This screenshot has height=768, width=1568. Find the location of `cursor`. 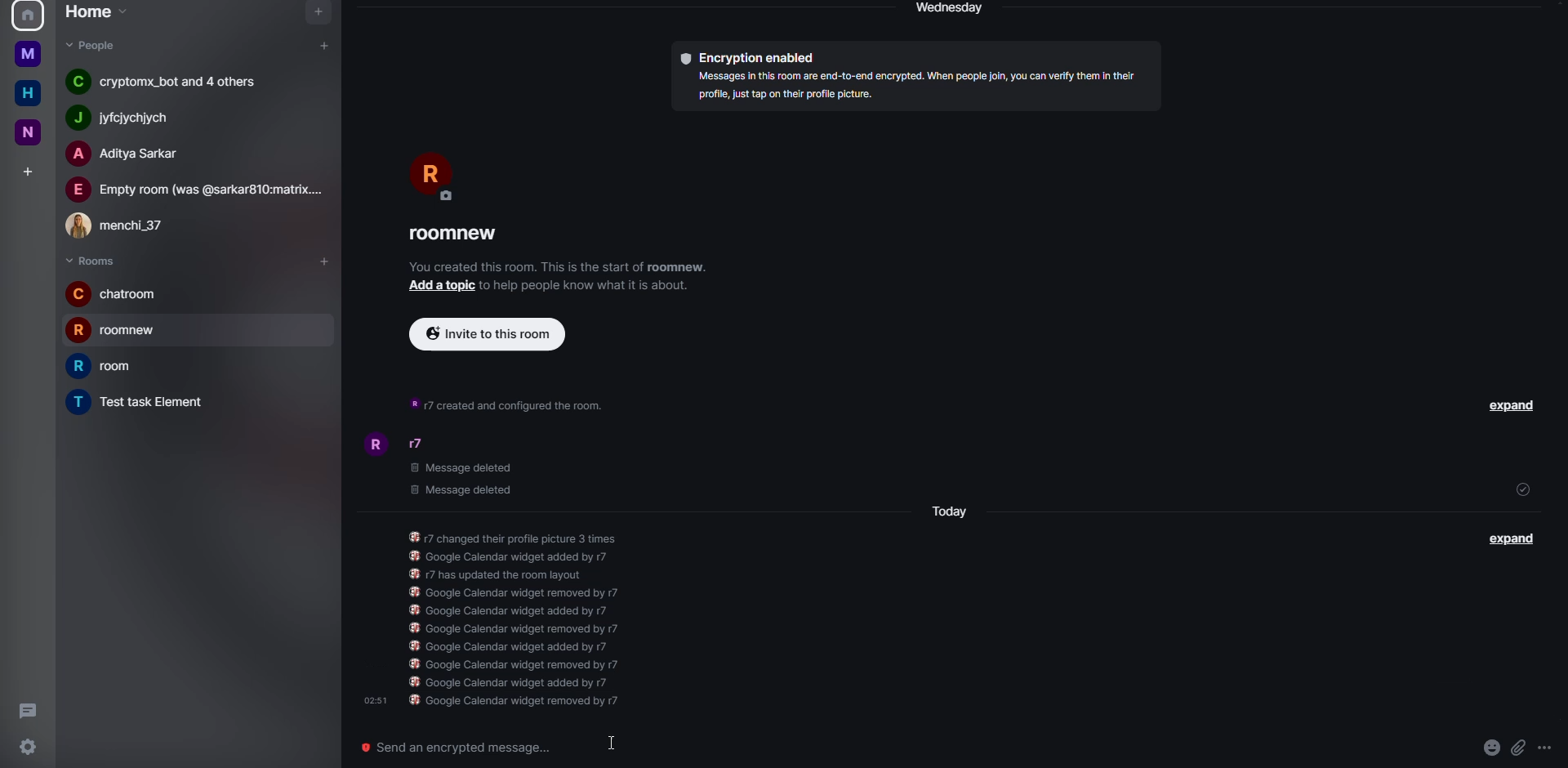

cursor is located at coordinates (612, 744).